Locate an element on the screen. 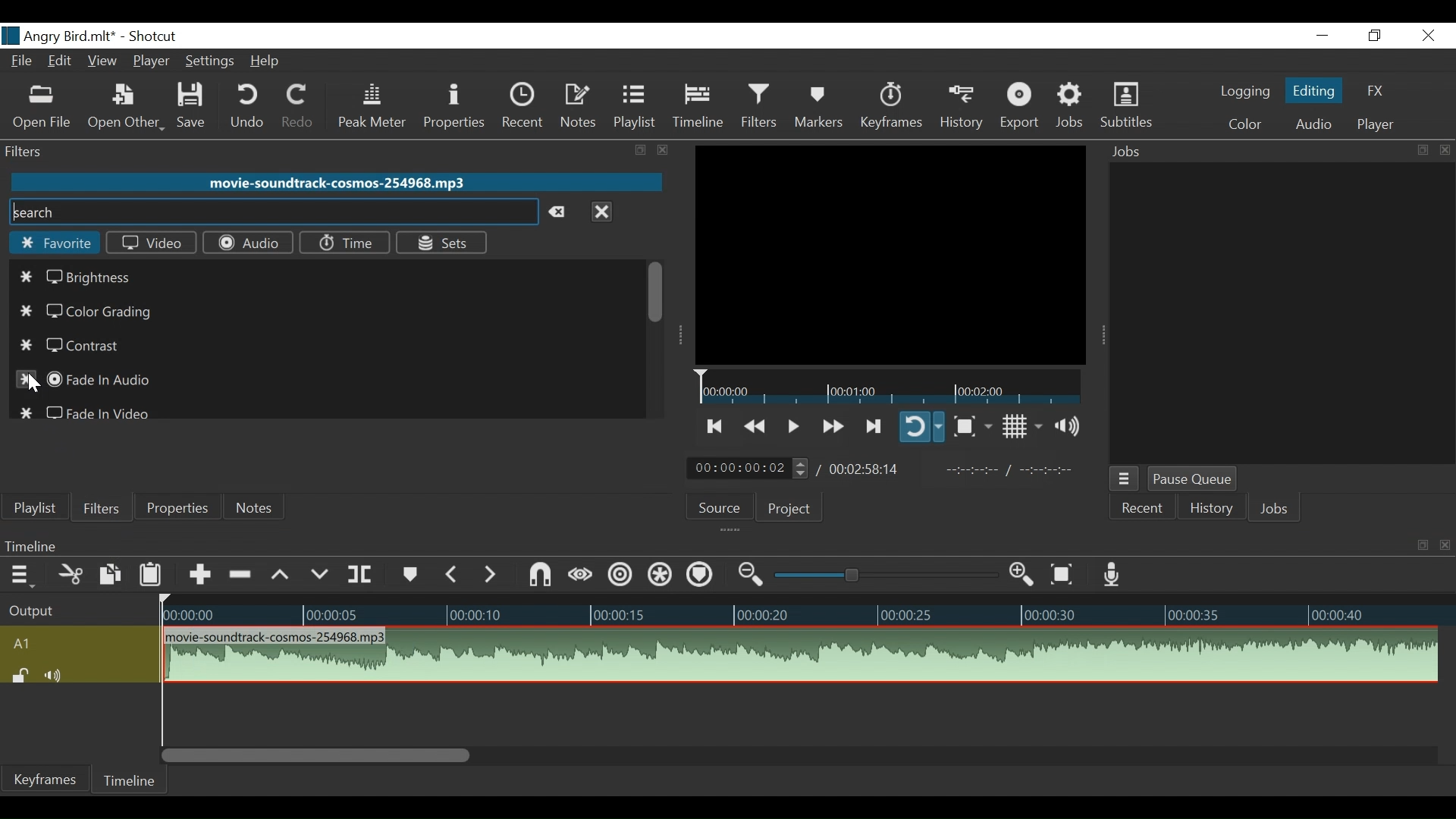  Scrub while dragging is located at coordinates (581, 575).